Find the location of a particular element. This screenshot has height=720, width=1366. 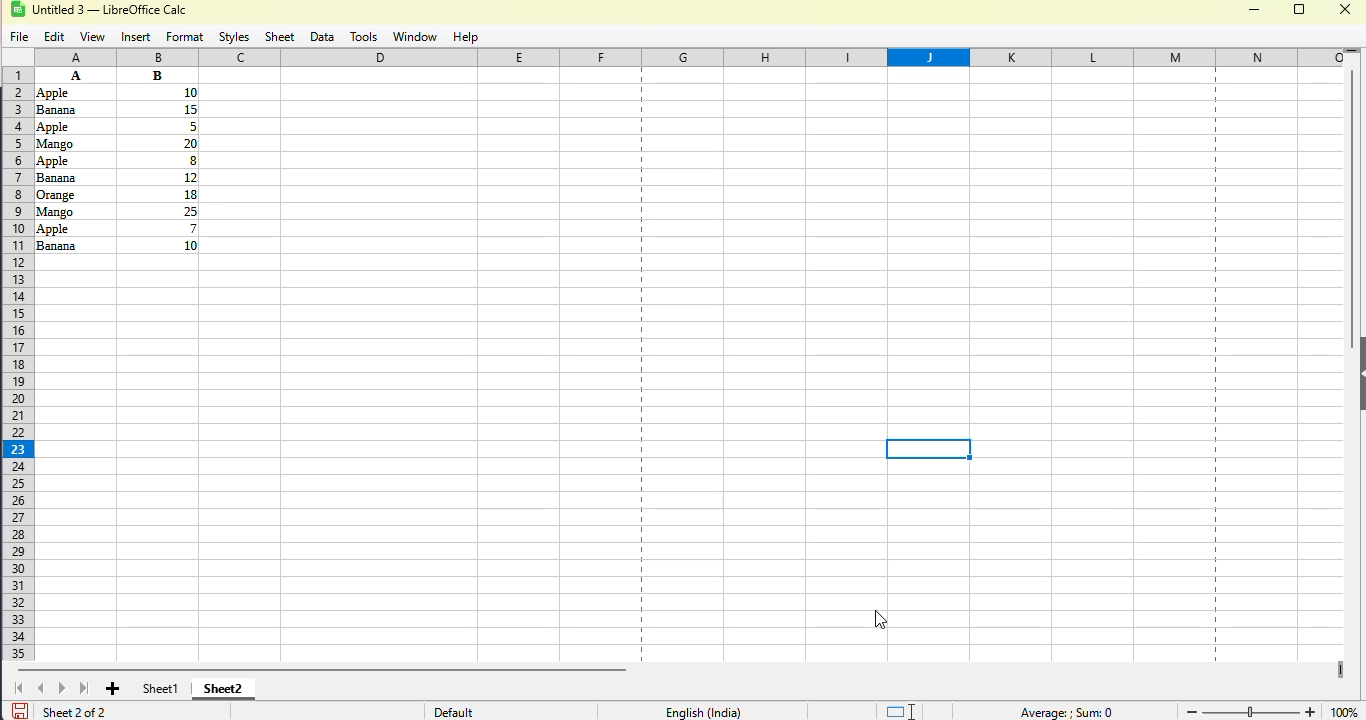

scroll to first sheet is located at coordinates (19, 688).